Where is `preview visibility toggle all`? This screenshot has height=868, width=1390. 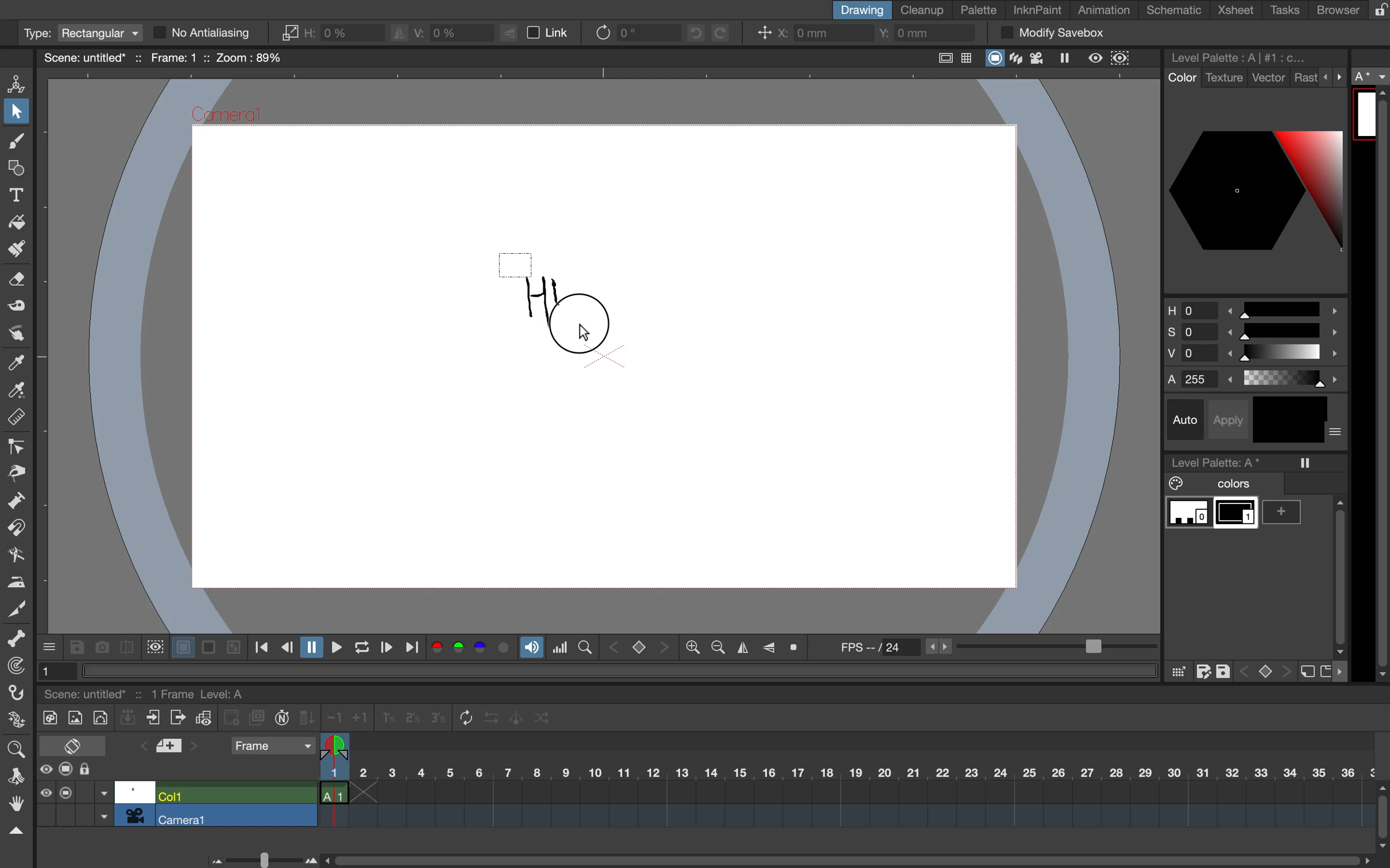
preview visibility toggle all is located at coordinates (45, 769).